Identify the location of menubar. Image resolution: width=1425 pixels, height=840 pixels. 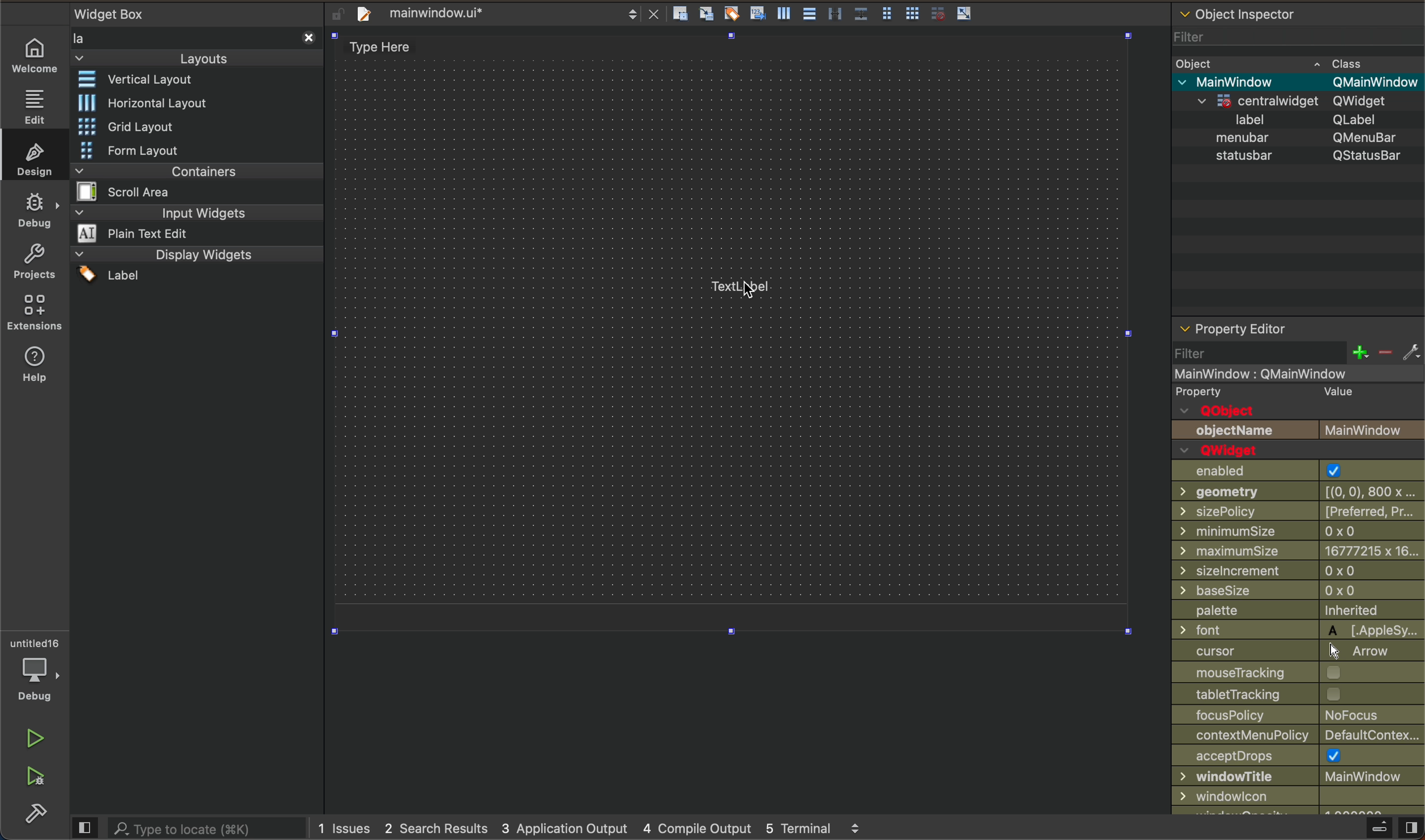
(1302, 138).